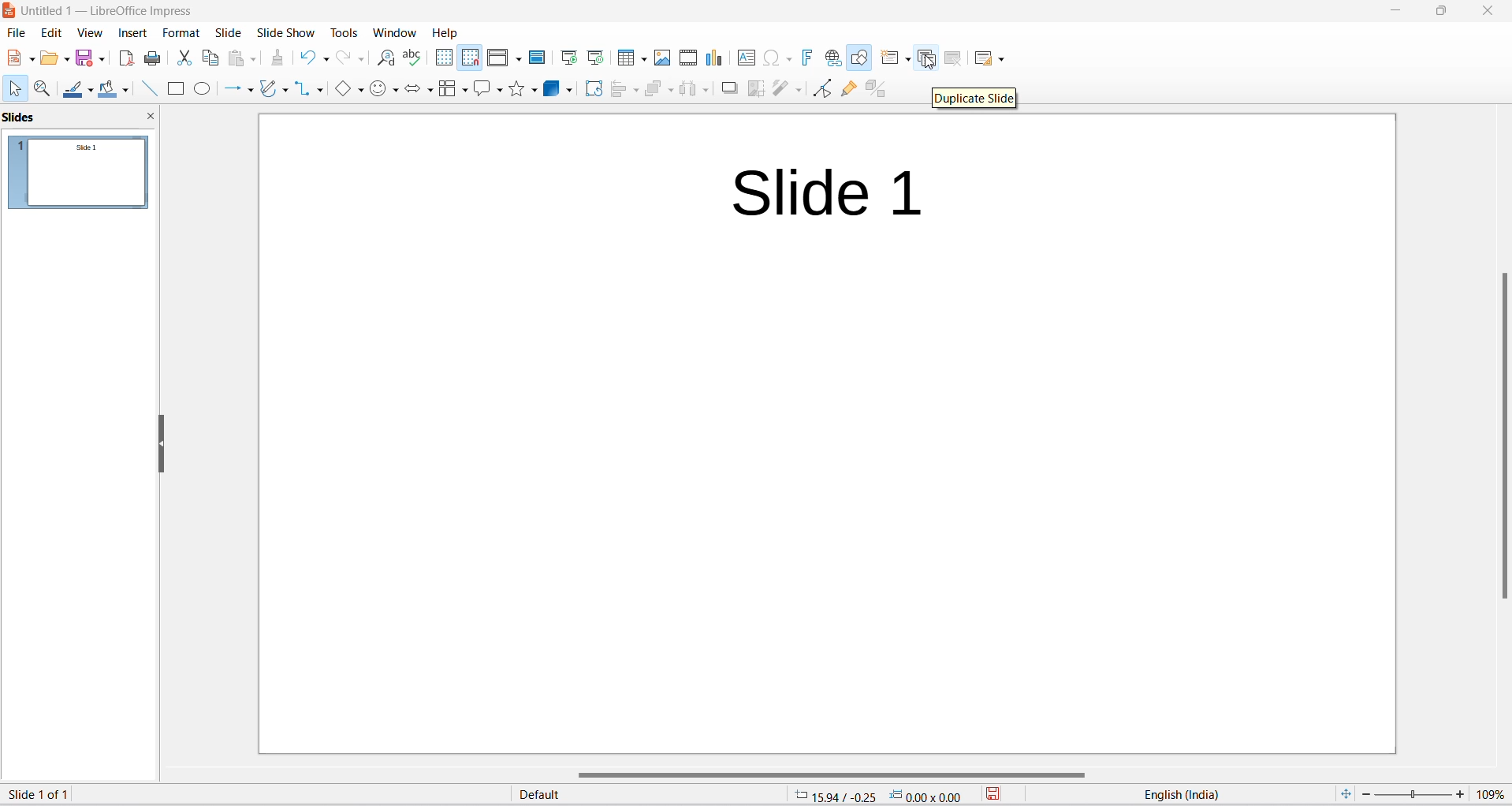 This screenshot has width=1512, height=806. What do you see at coordinates (91, 61) in the screenshot?
I see `save options` at bounding box center [91, 61].